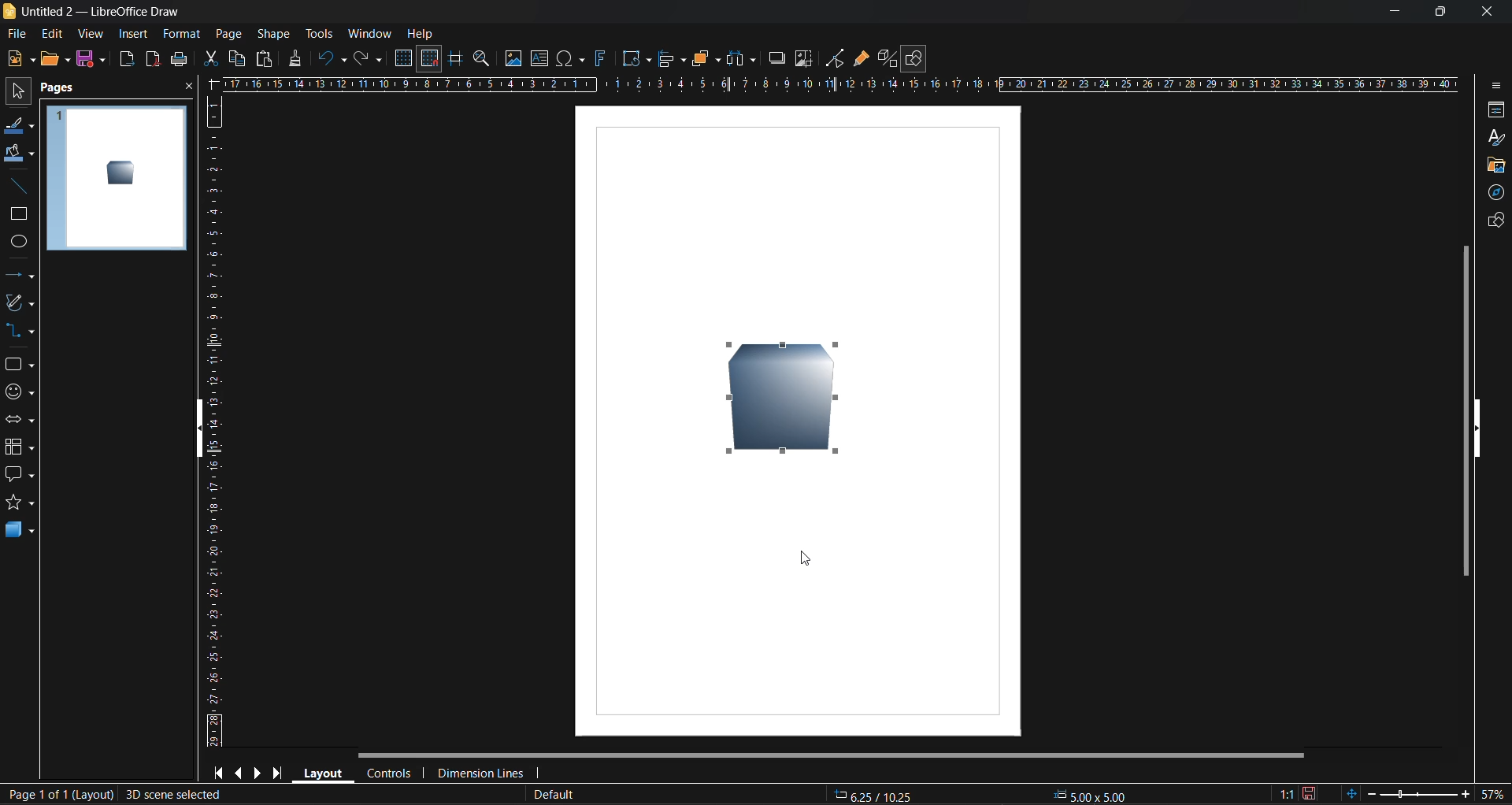  What do you see at coordinates (837, 57) in the screenshot?
I see `toggle point edit mode` at bounding box center [837, 57].